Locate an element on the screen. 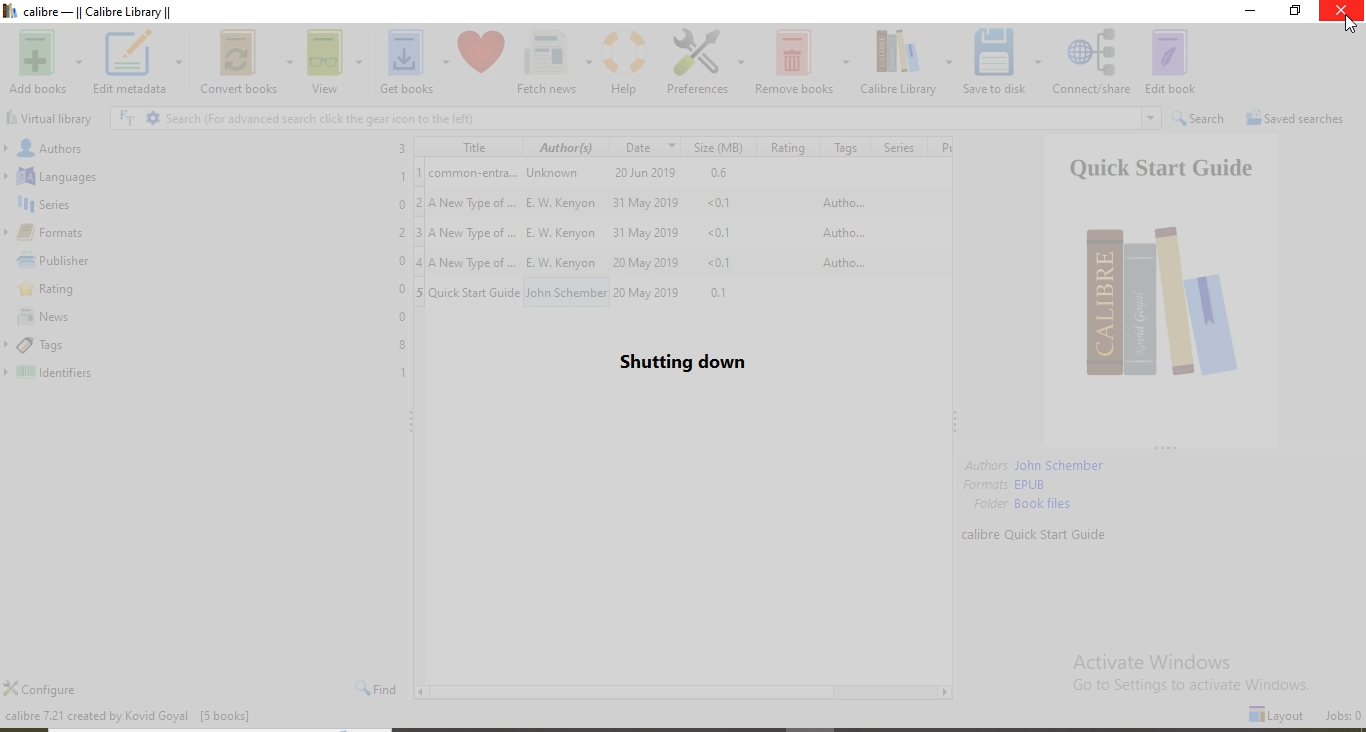 The image size is (1366, 732). Languages is located at coordinates (206, 175).